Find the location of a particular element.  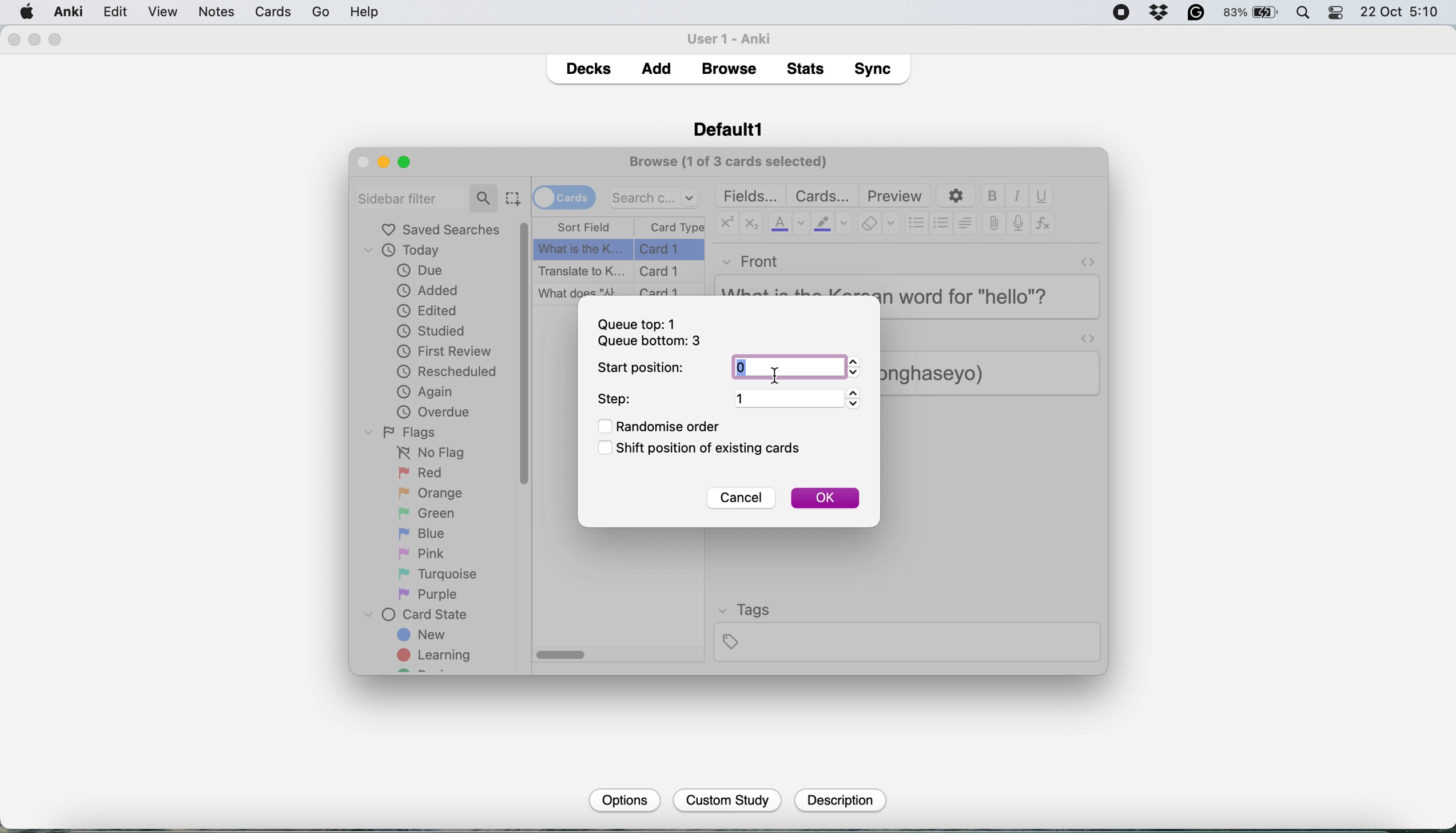

green is located at coordinates (435, 512).